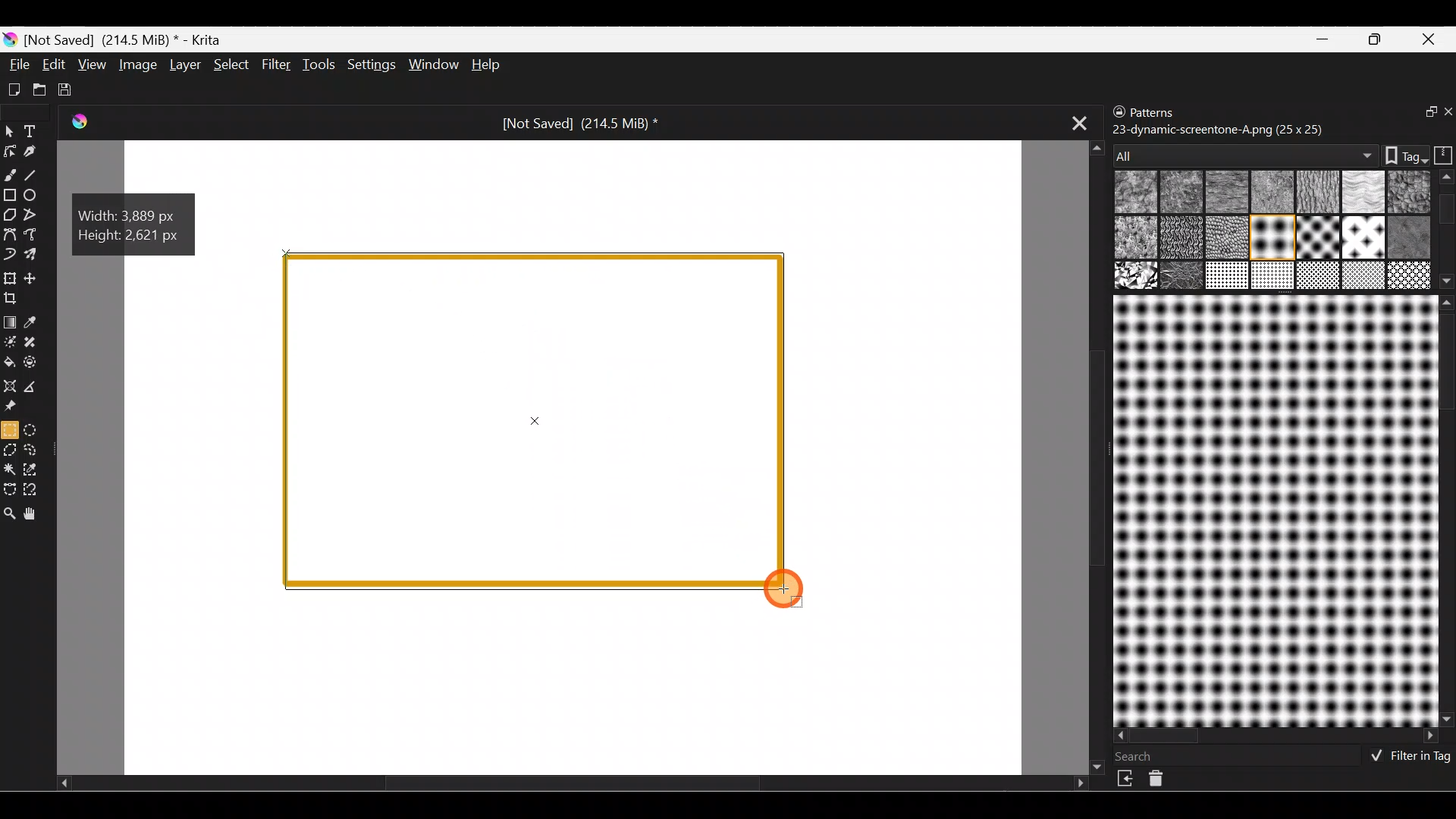 This screenshot has width=1456, height=819. Describe the element at coordinates (1277, 736) in the screenshot. I see `Scroll bar` at that location.